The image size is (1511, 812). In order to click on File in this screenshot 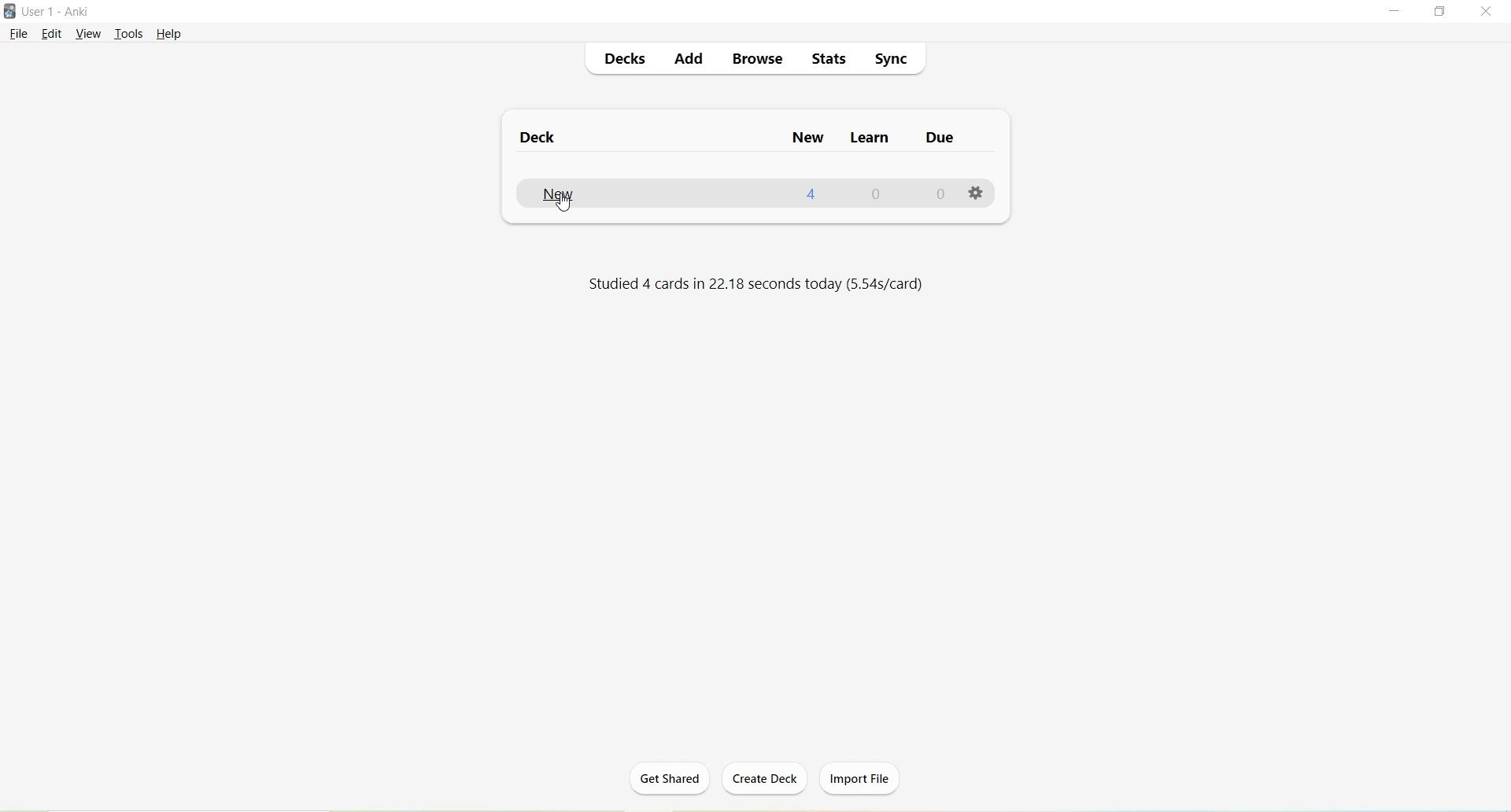, I will do `click(20, 34)`.